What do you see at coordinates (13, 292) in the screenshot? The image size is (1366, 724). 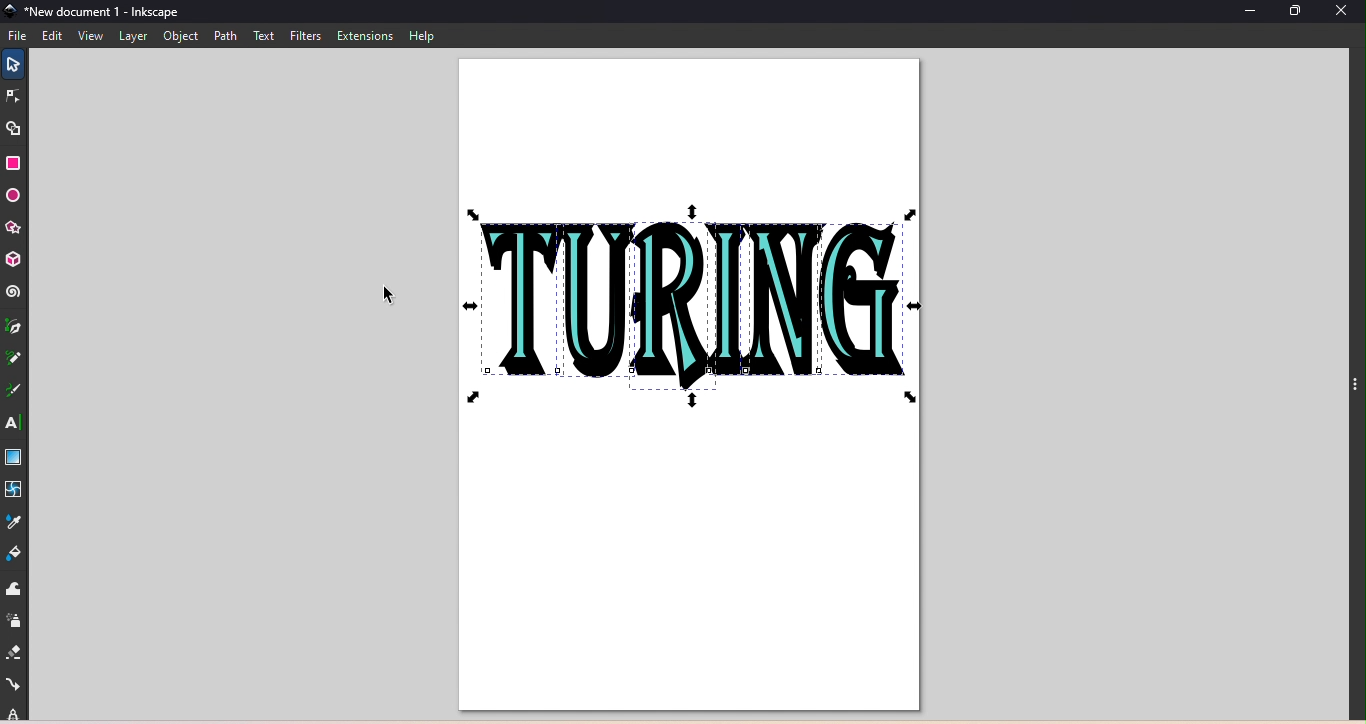 I see `Spiral tool` at bounding box center [13, 292].